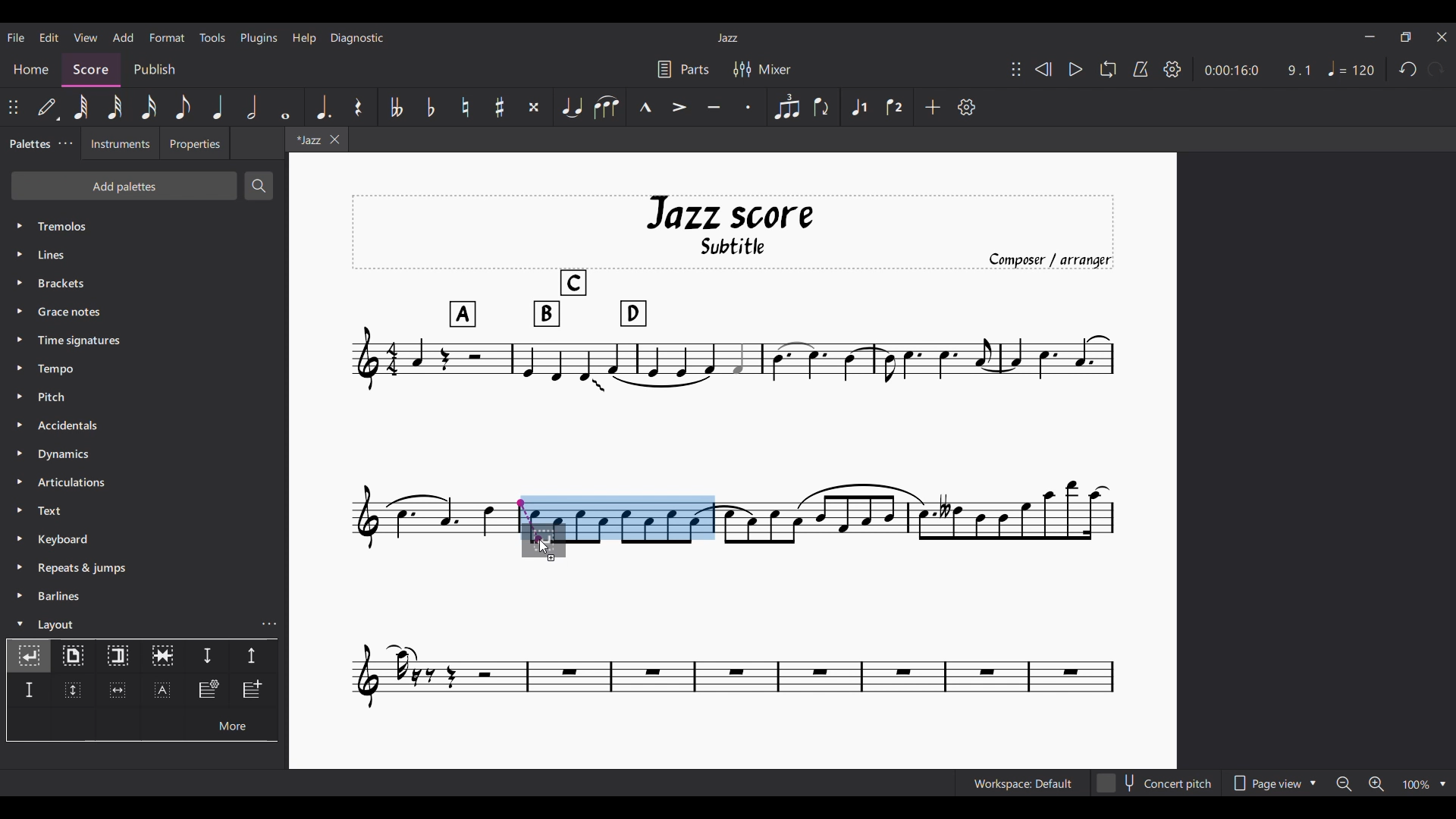 The width and height of the screenshot is (1456, 819). I want to click on Play, so click(1076, 69).